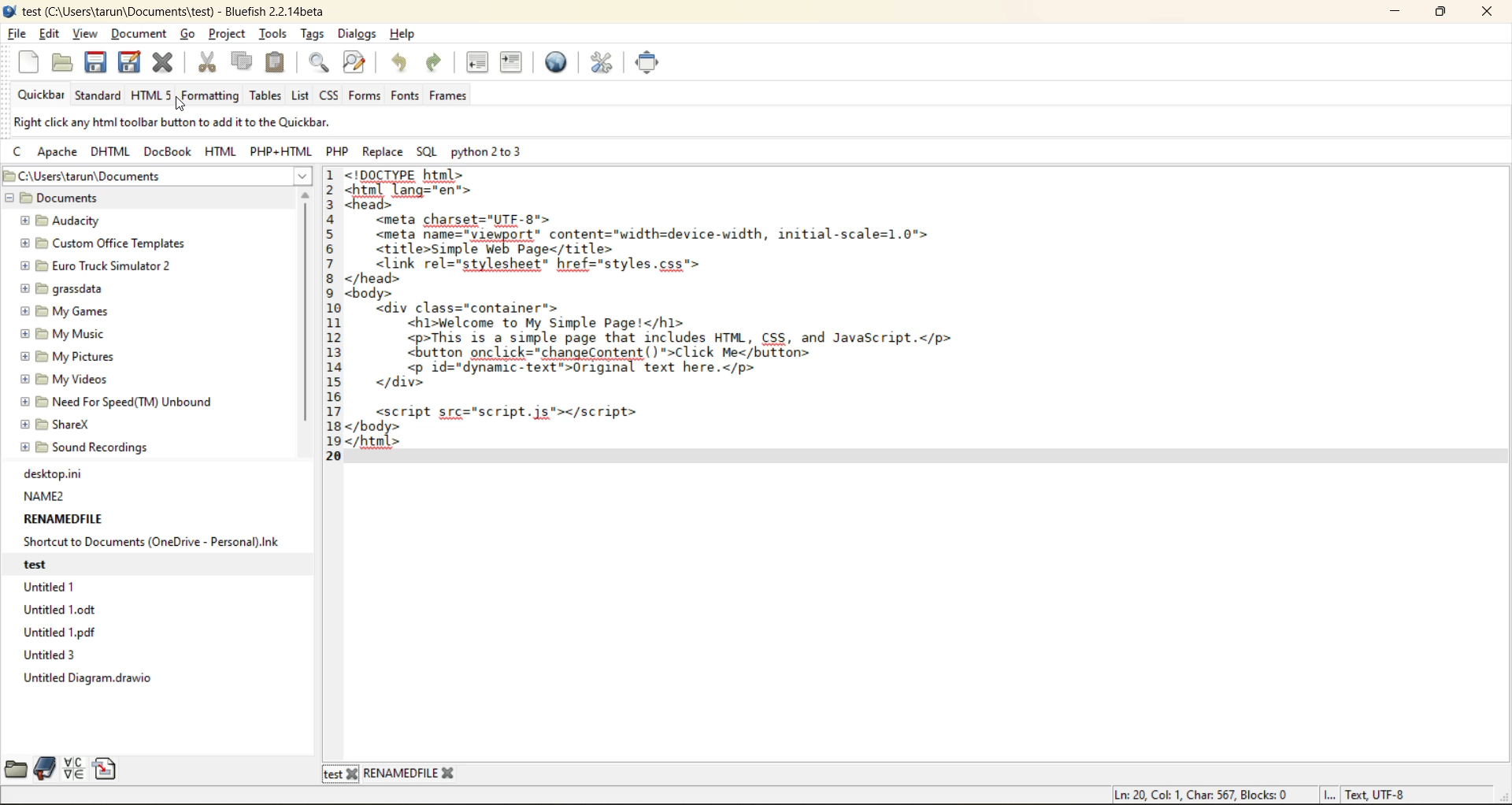  Describe the element at coordinates (1394, 13) in the screenshot. I see `minimize` at that location.